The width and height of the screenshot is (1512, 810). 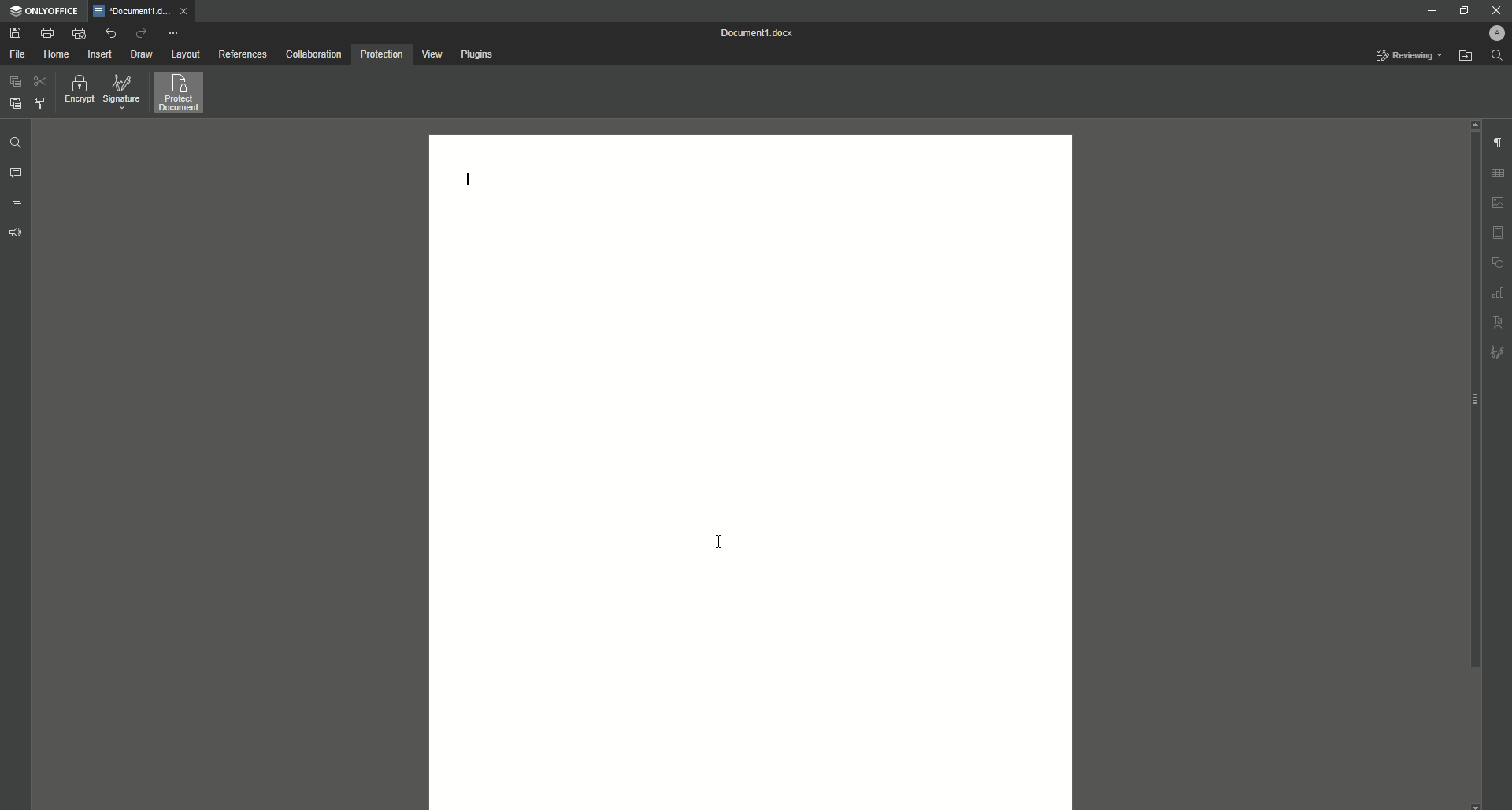 I want to click on Paste, so click(x=13, y=84).